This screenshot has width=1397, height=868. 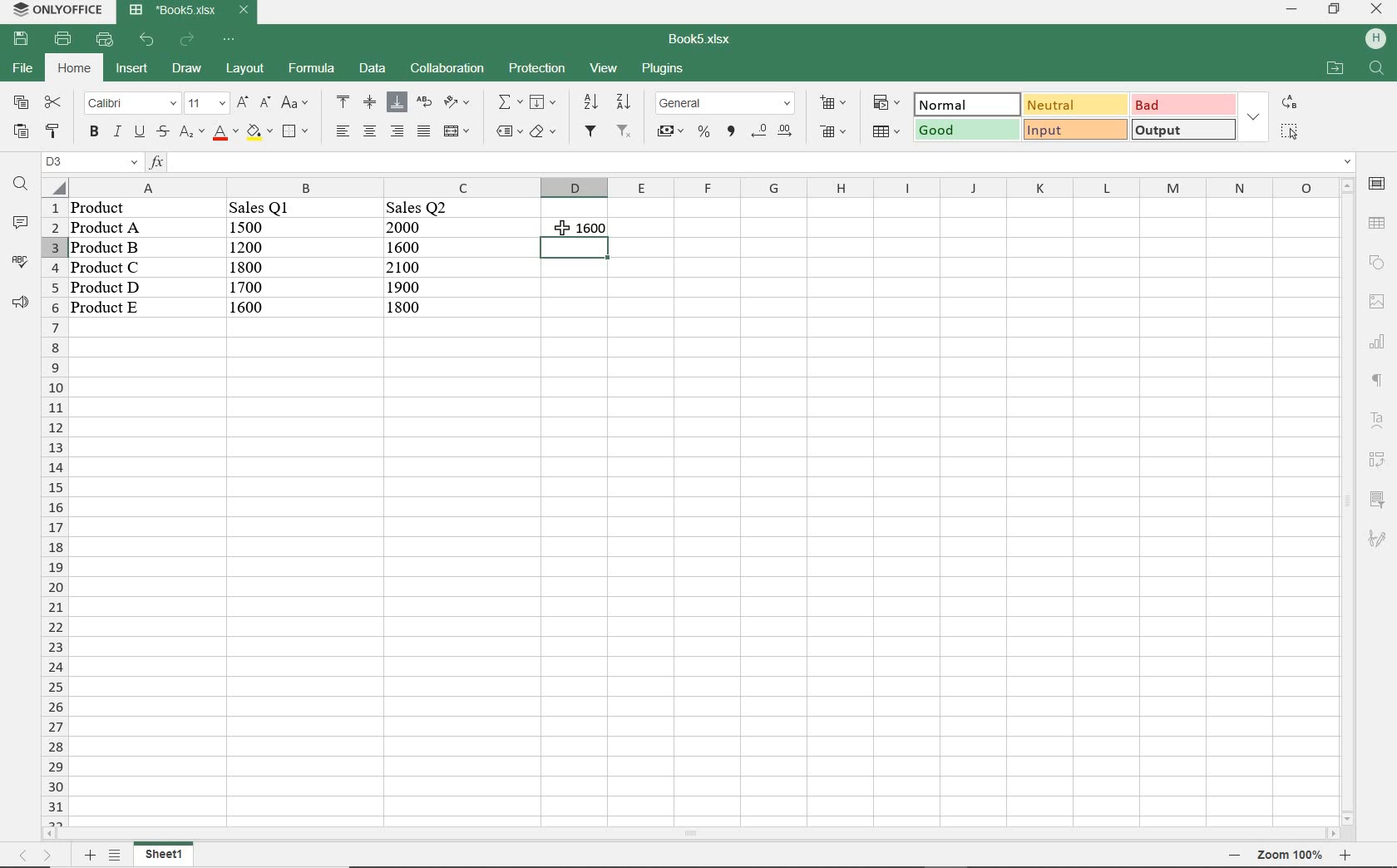 I want to click on percent style, so click(x=705, y=133).